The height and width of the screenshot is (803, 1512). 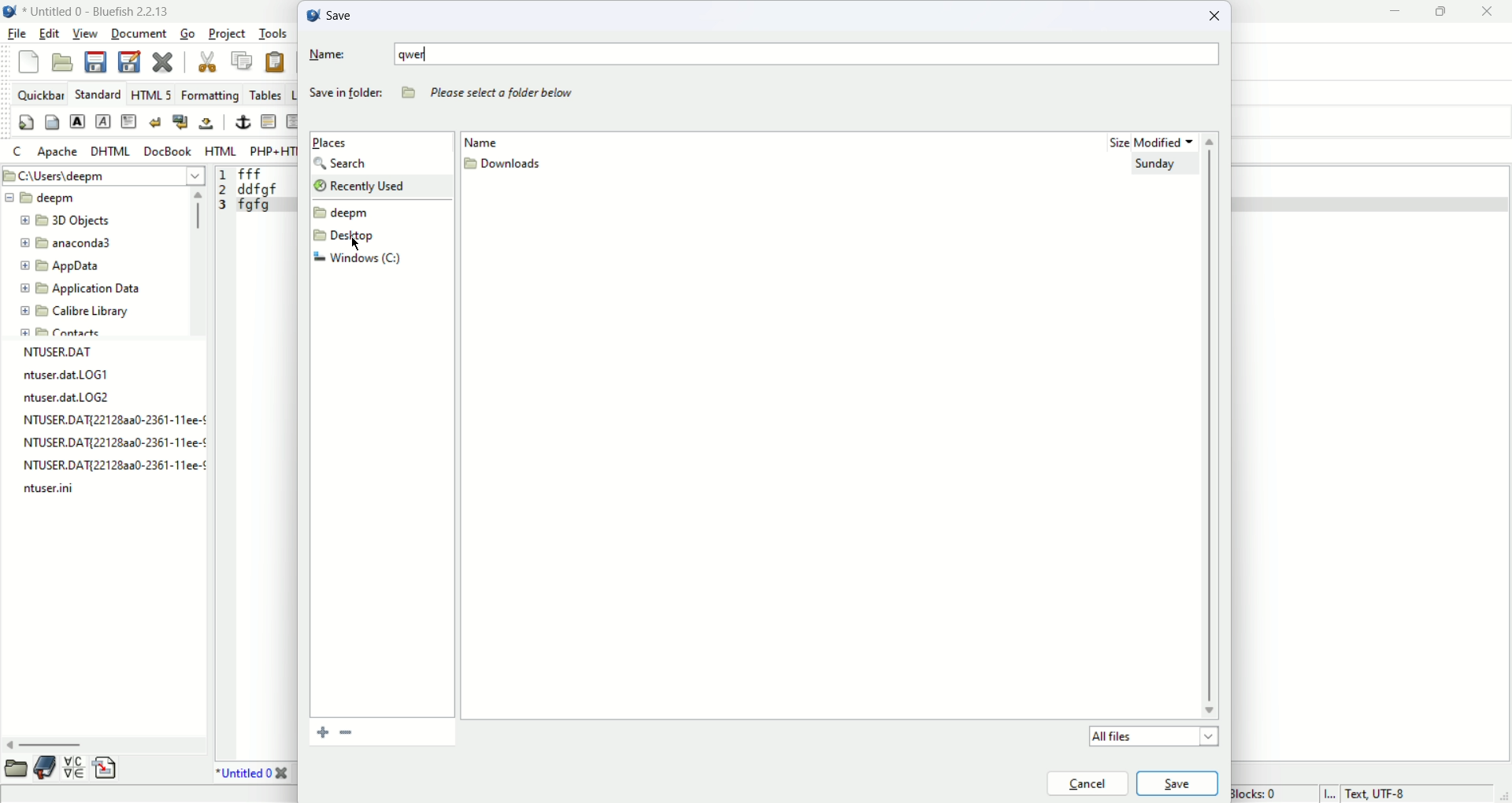 What do you see at coordinates (1214, 427) in the screenshot?
I see `vertical scroll bar` at bounding box center [1214, 427].